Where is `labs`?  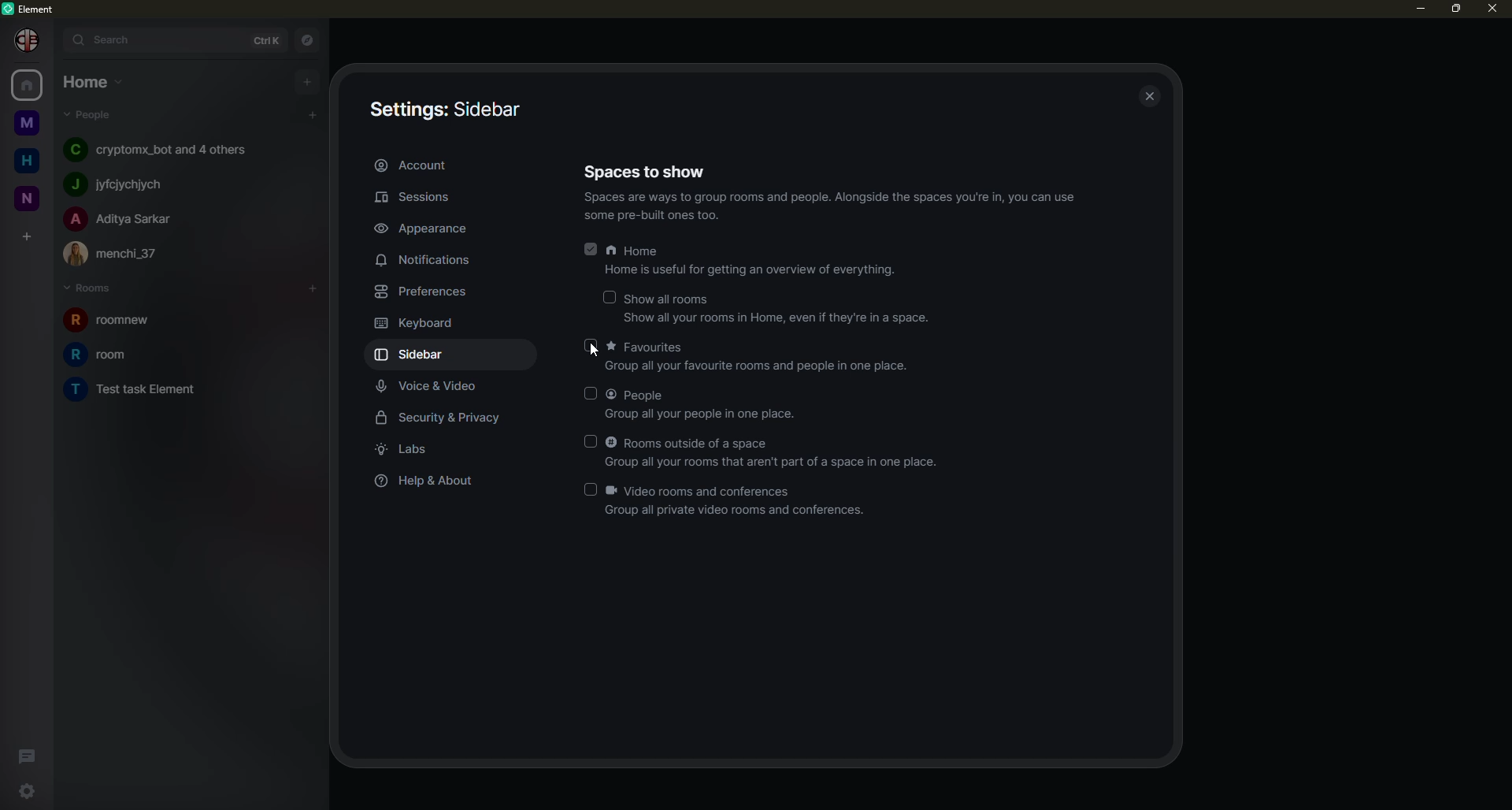
labs is located at coordinates (406, 451).